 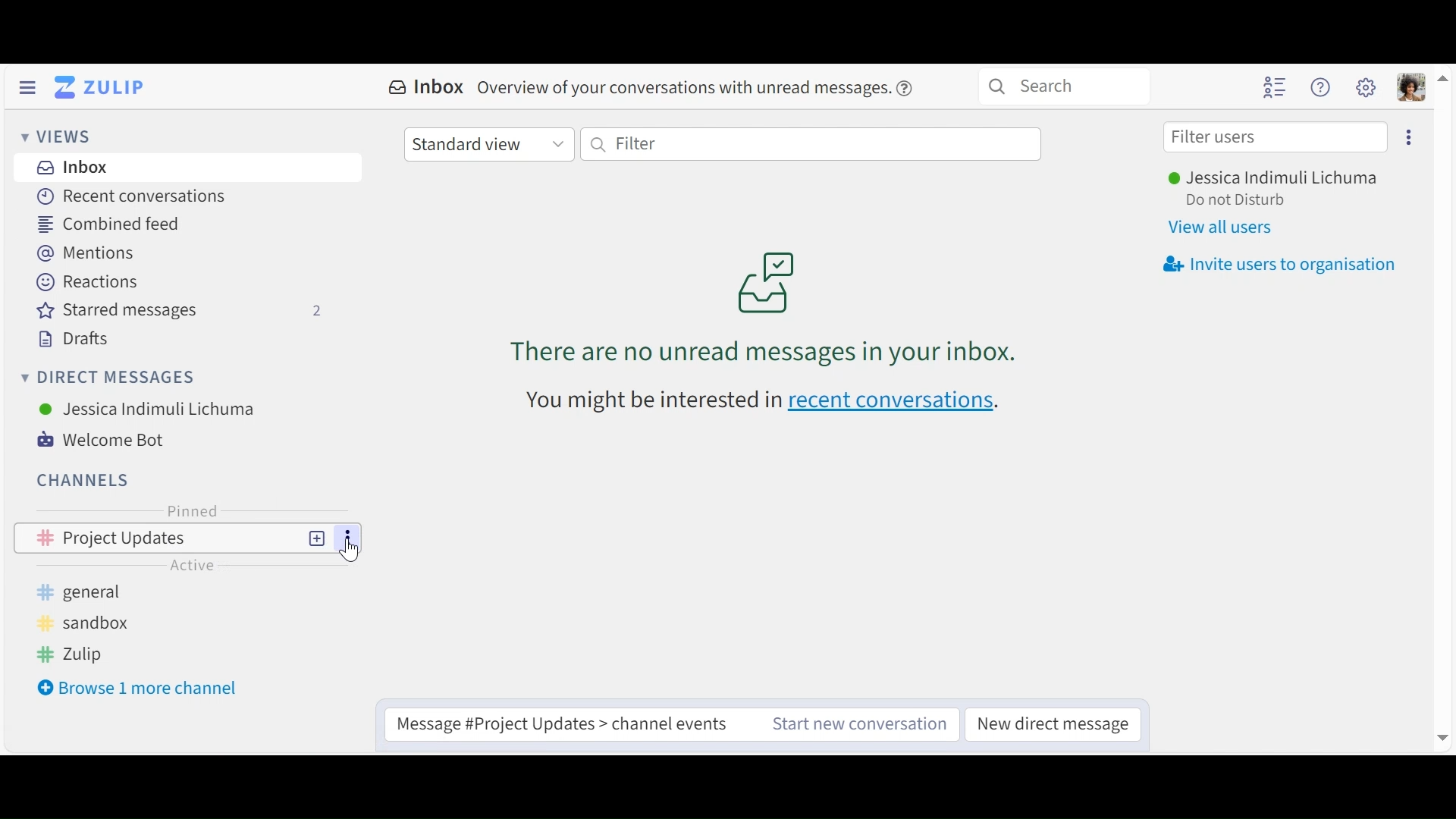 I want to click on Standard view, so click(x=488, y=143).